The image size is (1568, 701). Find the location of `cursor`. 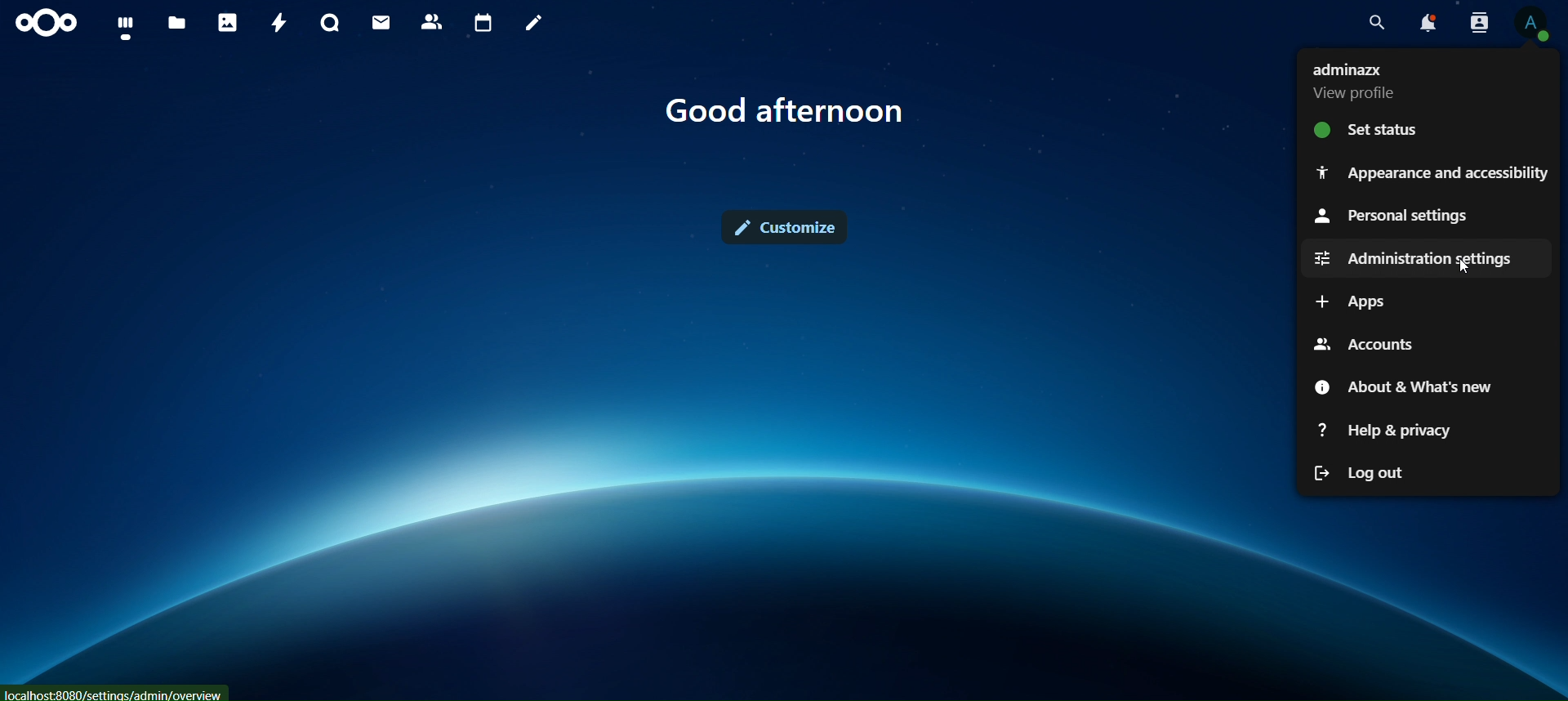

cursor is located at coordinates (1466, 274).